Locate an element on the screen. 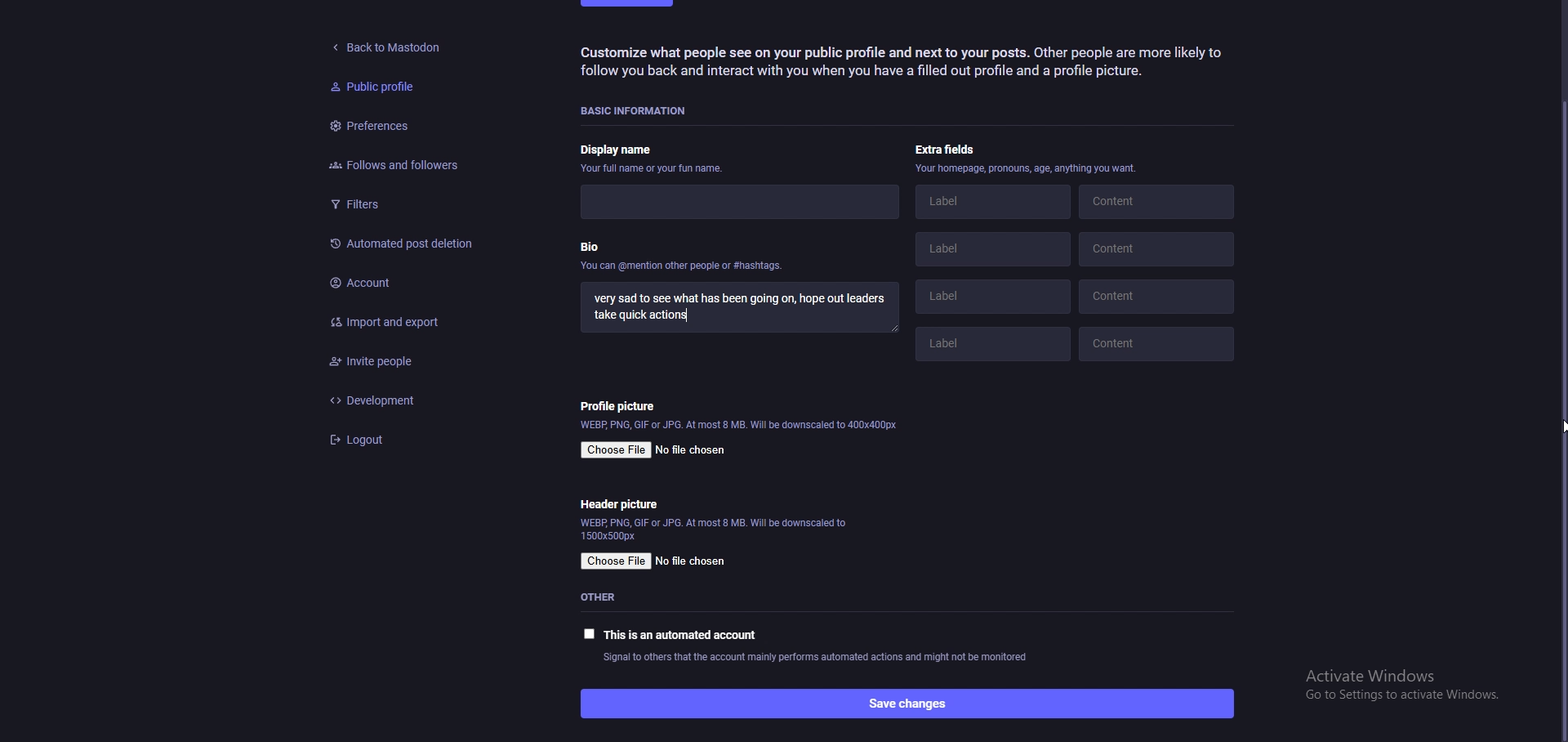 Image resolution: width=1568 pixels, height=742 pixels. info is located at coordinates (713, 530).